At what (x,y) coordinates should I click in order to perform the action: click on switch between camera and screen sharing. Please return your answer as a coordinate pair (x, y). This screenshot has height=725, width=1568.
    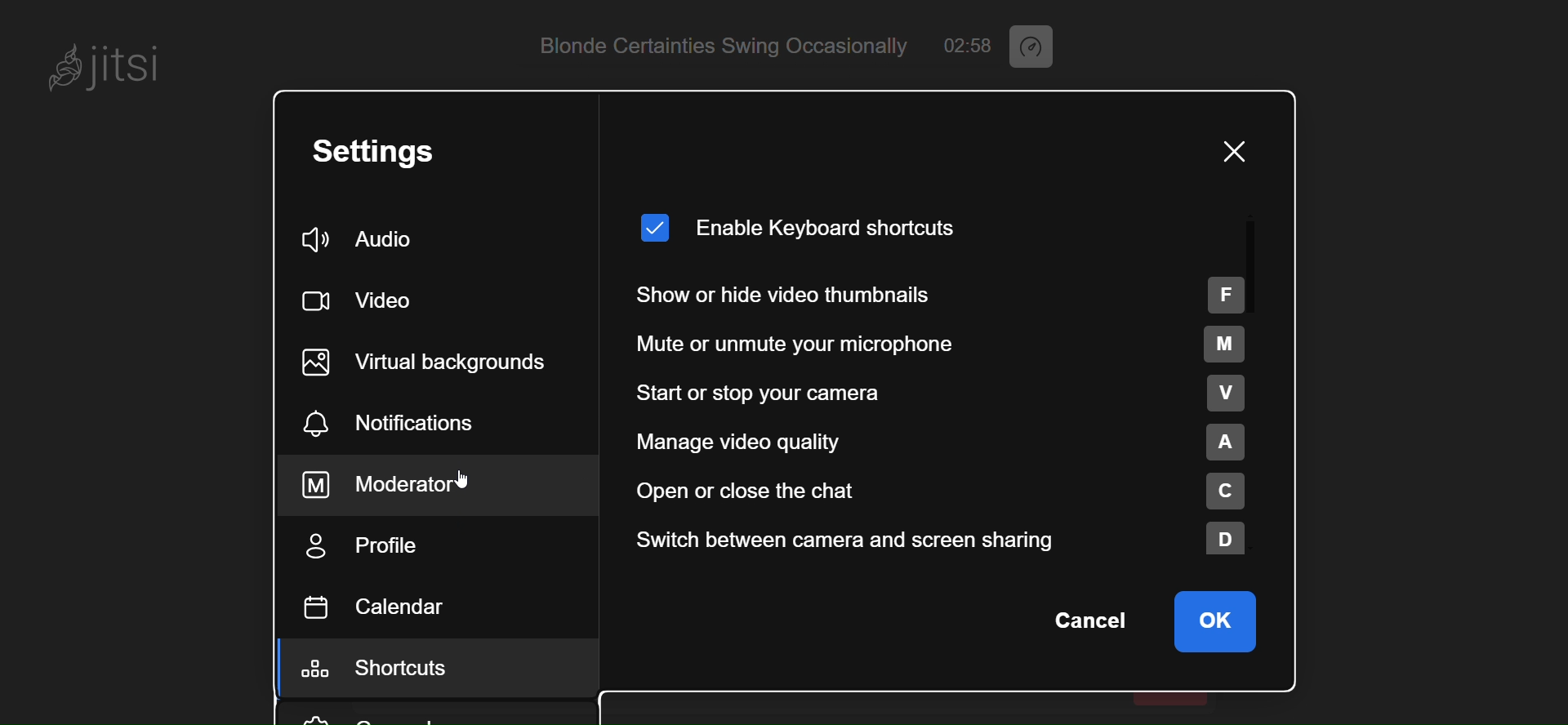
    Looking at the image, I should click on (942, 540).